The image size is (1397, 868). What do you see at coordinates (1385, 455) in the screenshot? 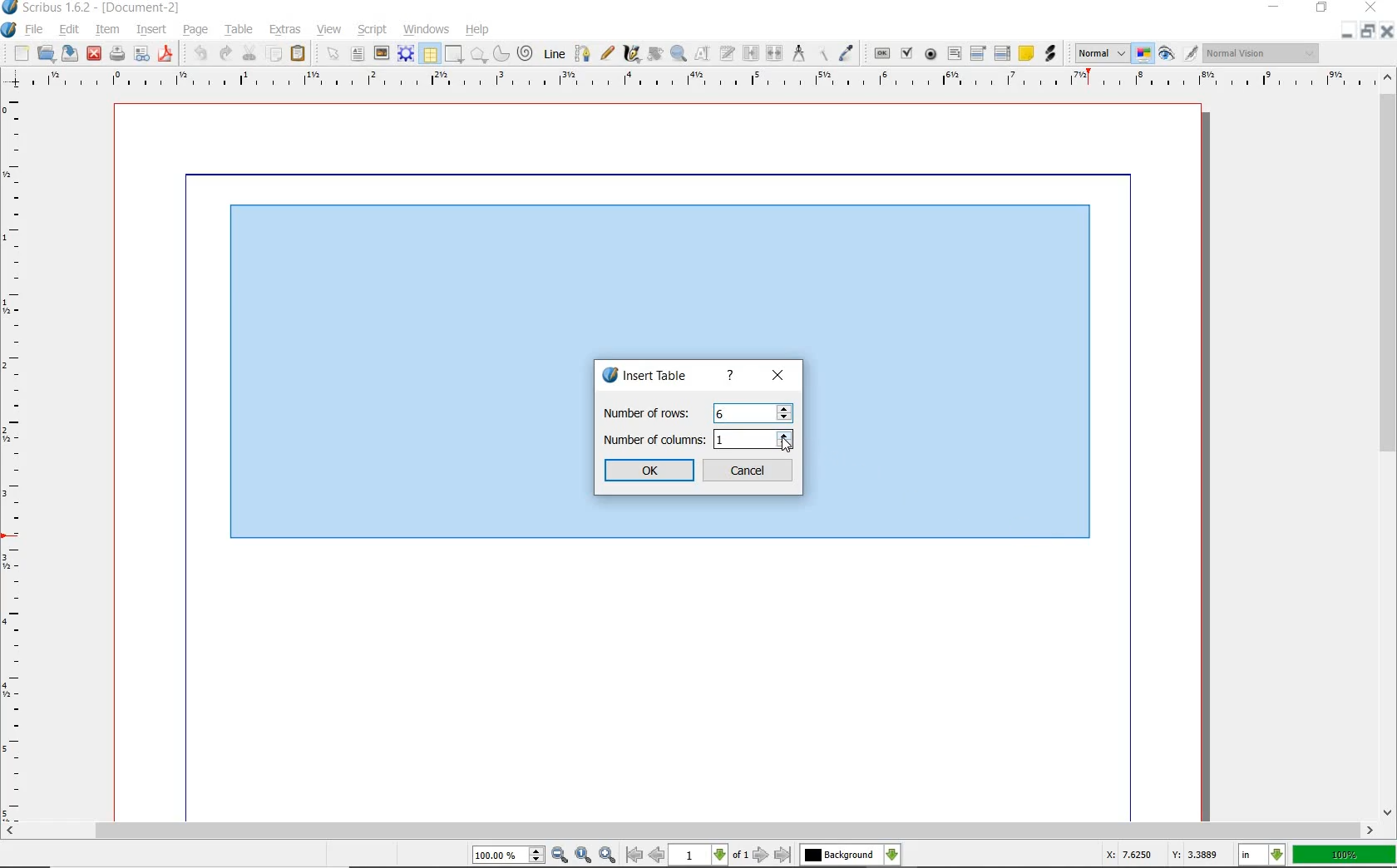
I see `scrollbar` at bounding box center [1385, 455].